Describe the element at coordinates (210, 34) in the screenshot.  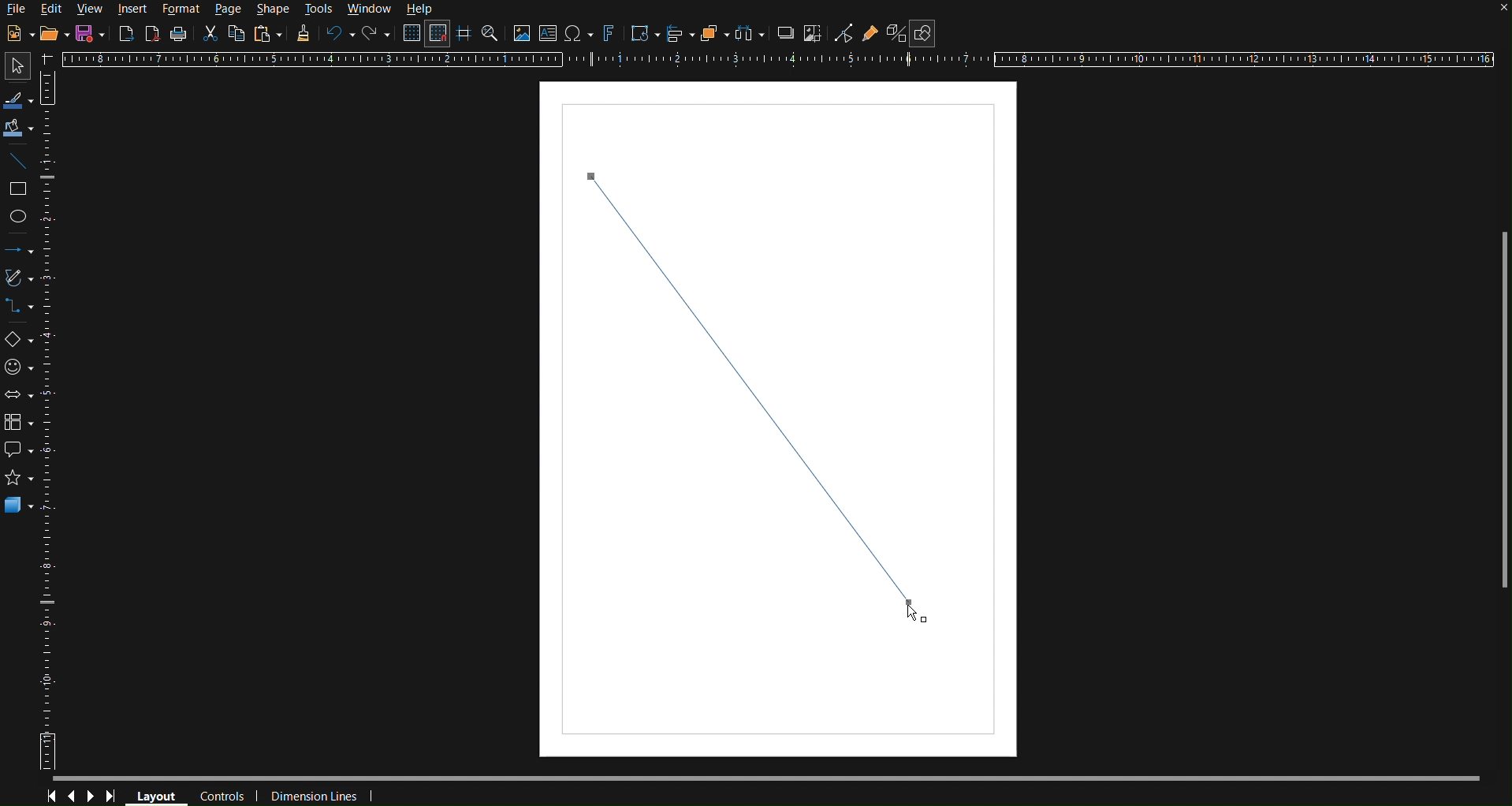
I see `Cut` at that location.